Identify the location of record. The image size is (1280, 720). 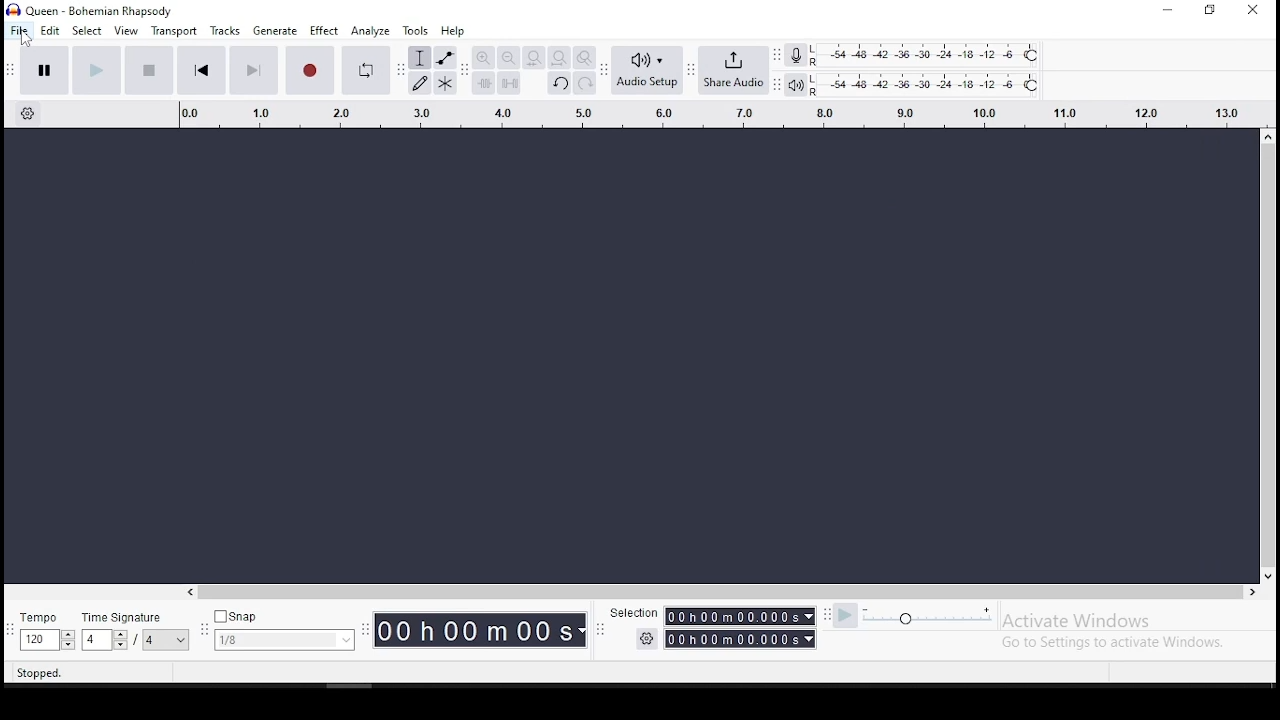
(310, 71).